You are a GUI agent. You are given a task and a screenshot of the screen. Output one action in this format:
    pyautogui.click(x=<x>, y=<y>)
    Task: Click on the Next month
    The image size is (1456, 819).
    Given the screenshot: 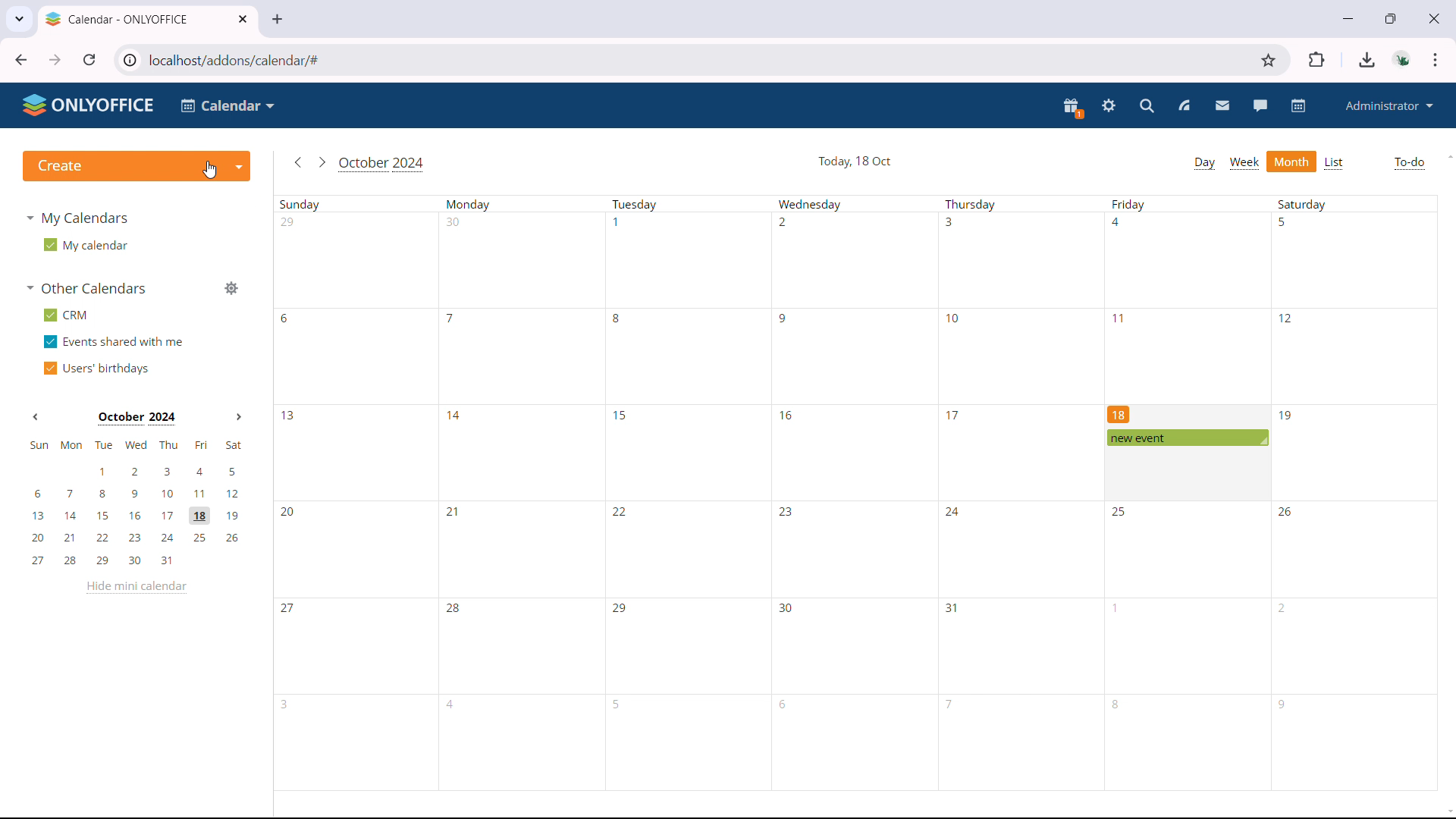 What is the action you would take?
    pyautogui.click(x=238, y=417)
    